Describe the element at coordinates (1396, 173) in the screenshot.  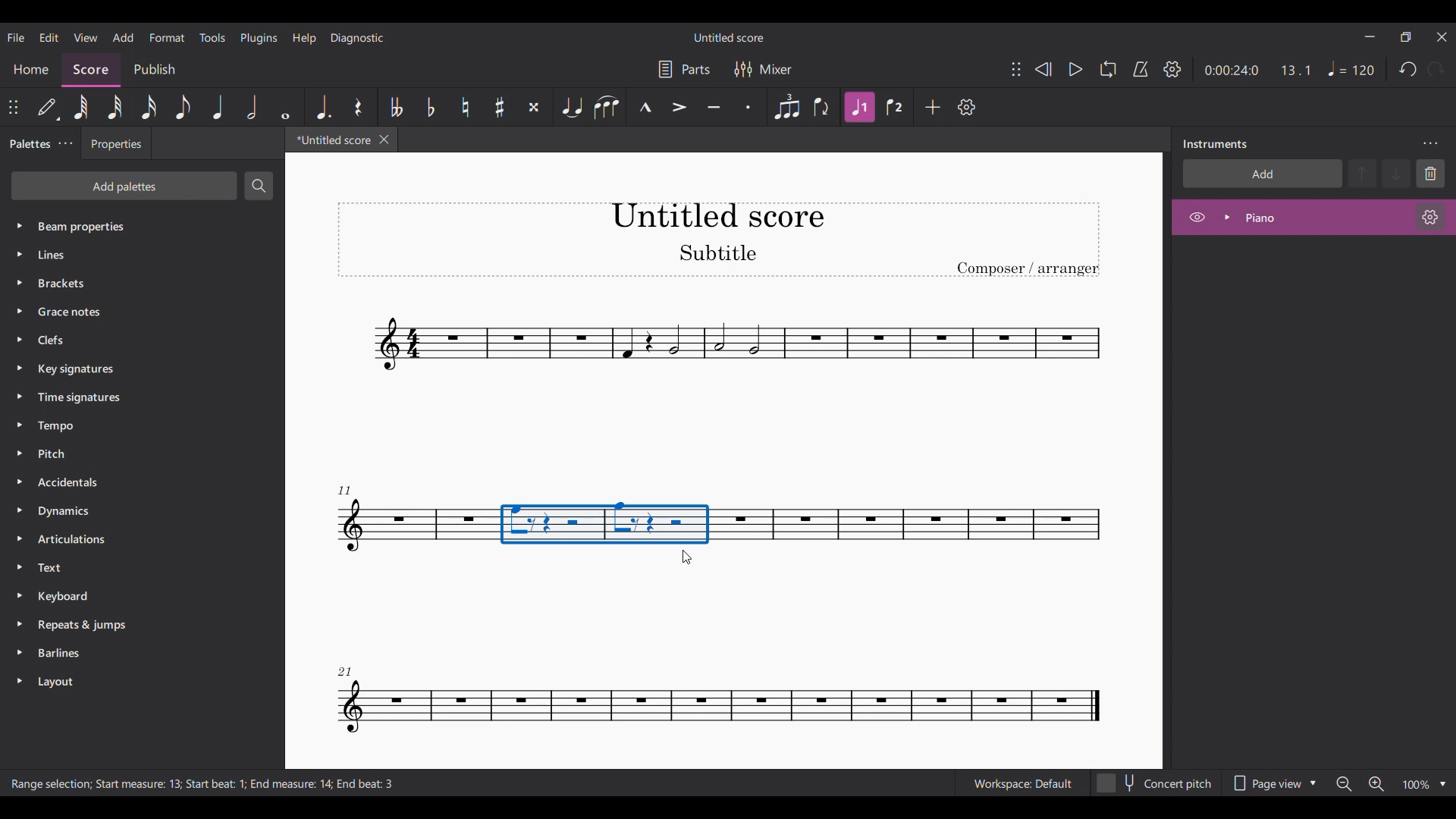
I see `Move selected instrument down` at that location.